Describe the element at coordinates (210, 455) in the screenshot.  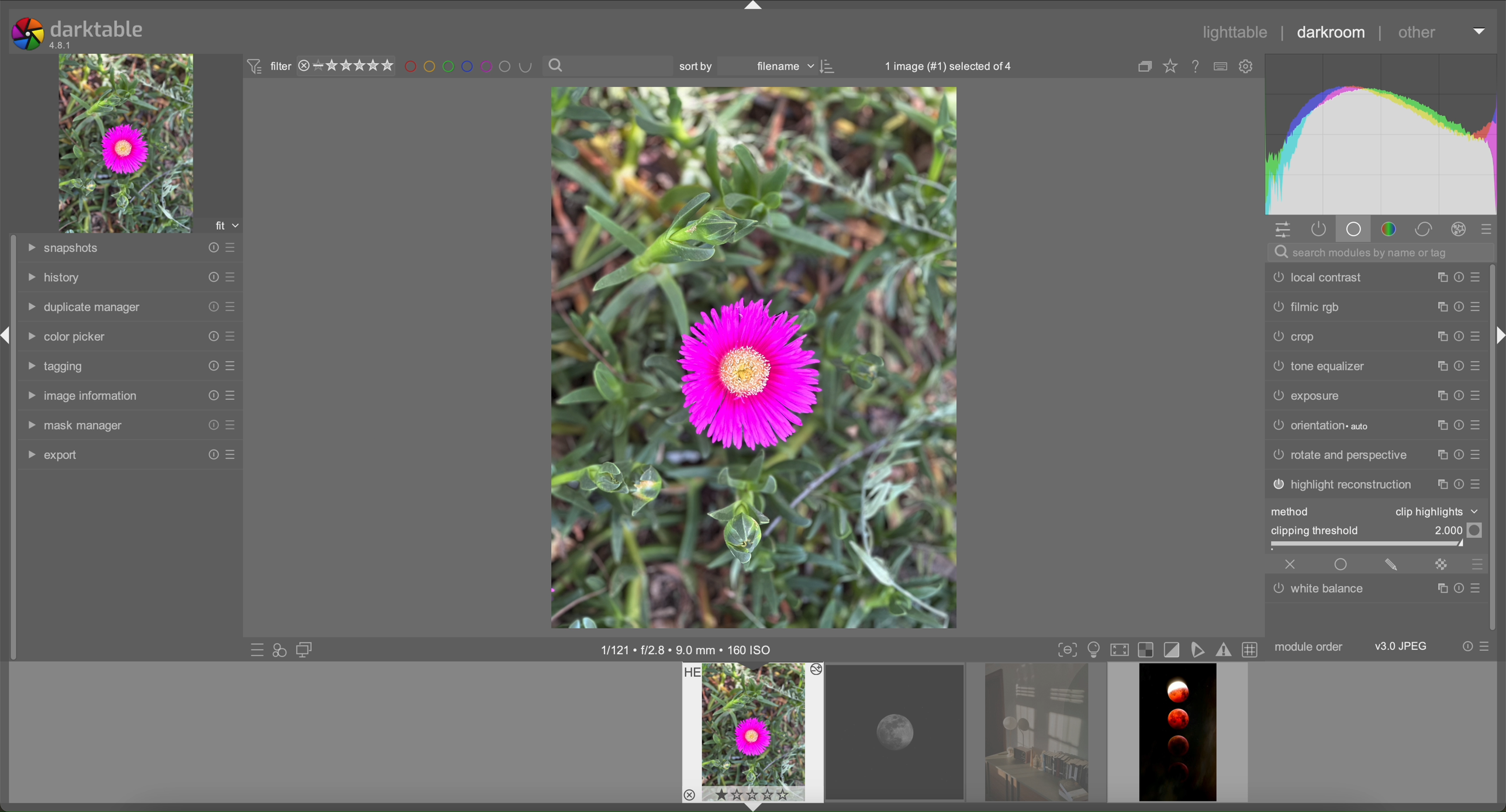
I see `reset presets` at that location.